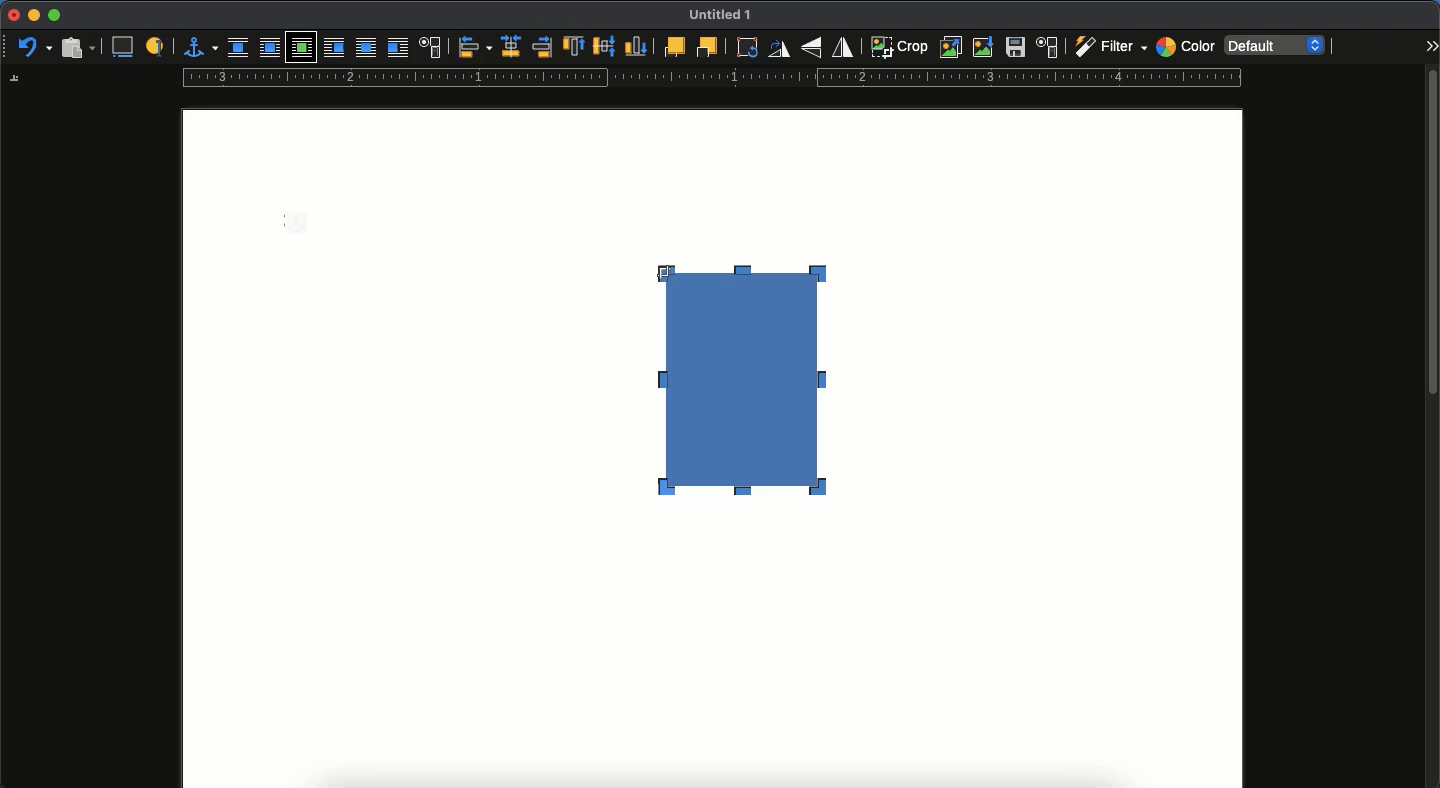  Describe the element at coordinates (1433, 427) in the screenshot. I see `scroll` at that location.